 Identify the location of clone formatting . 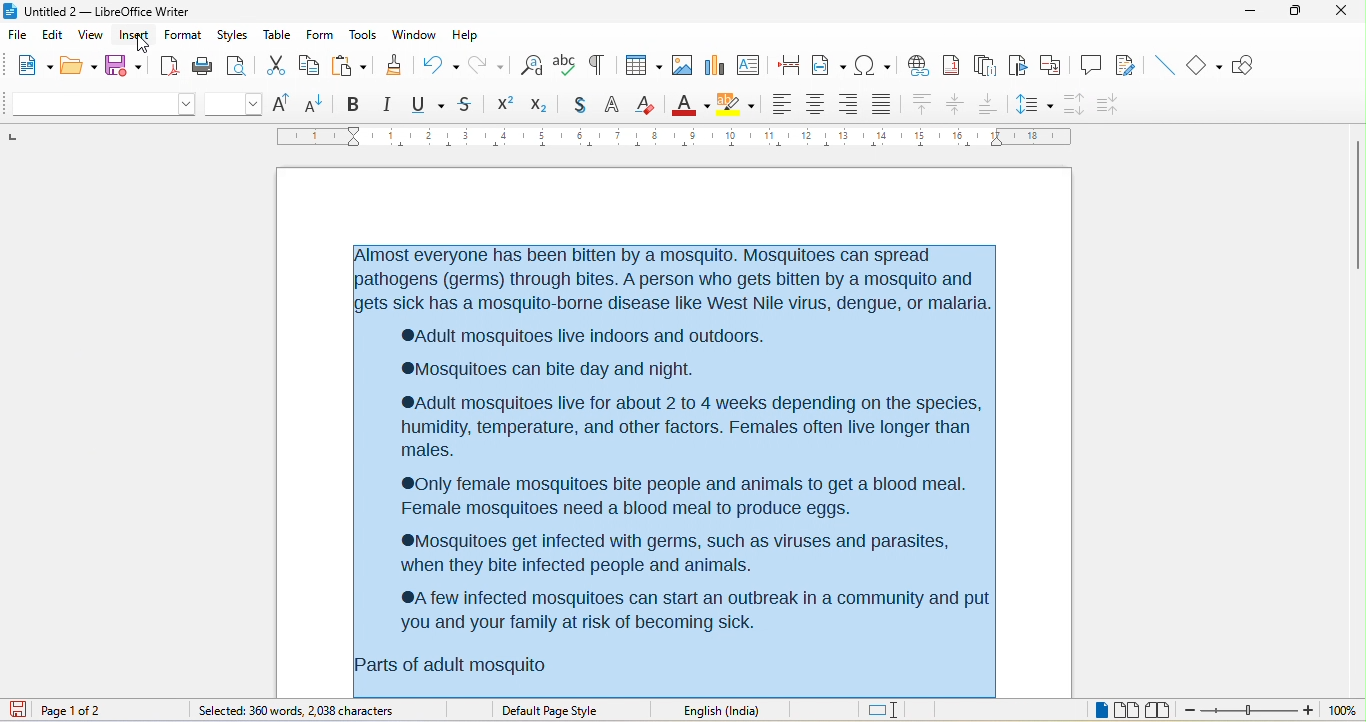
(391, 65).